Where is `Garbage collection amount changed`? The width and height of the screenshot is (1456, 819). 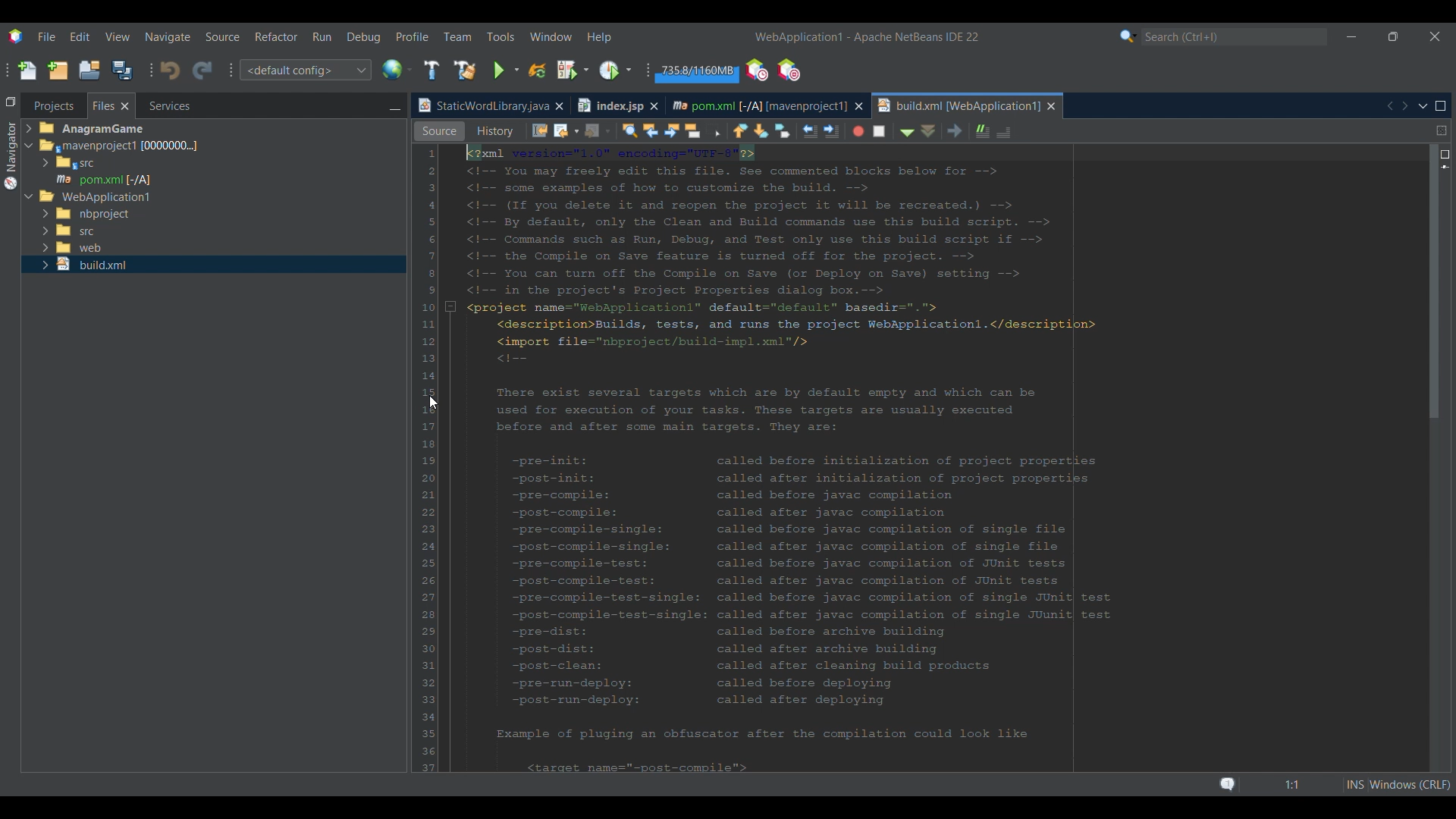 Garbage collection amount changed is located at coordinates (697, 73).